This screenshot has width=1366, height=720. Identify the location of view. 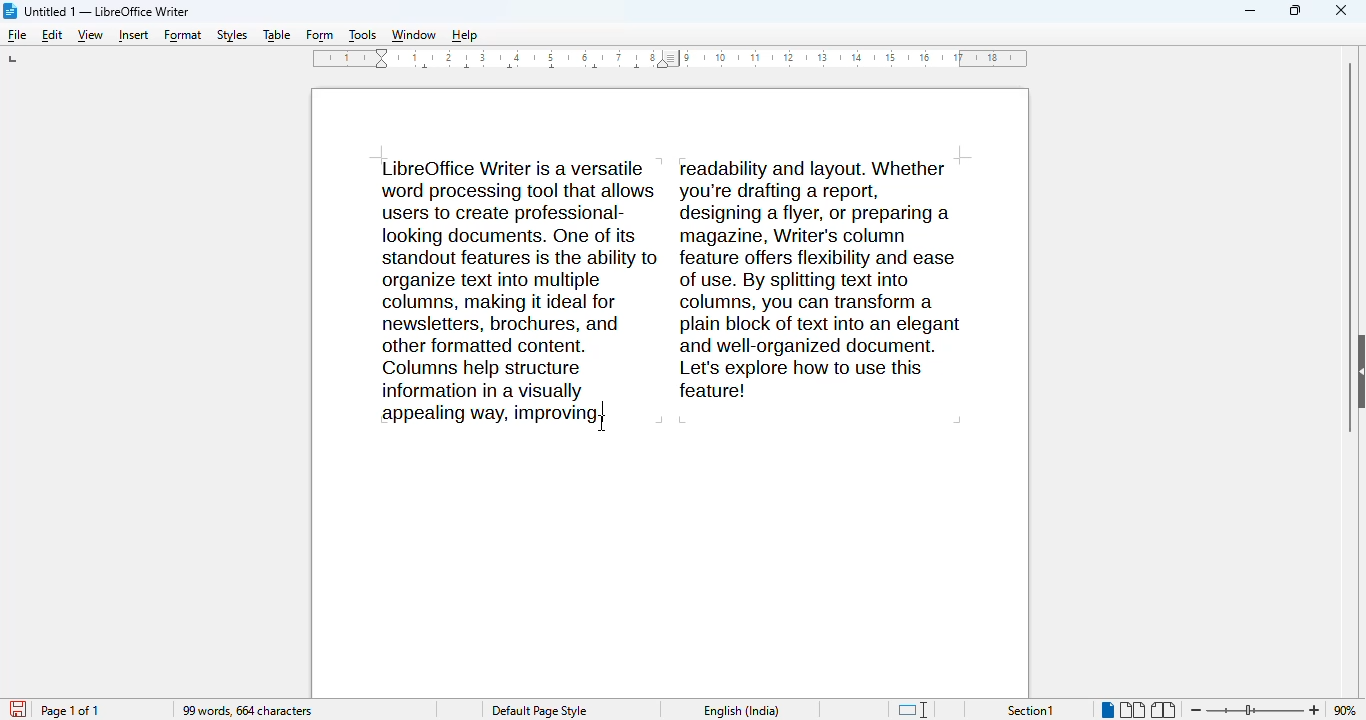
(90, 36).